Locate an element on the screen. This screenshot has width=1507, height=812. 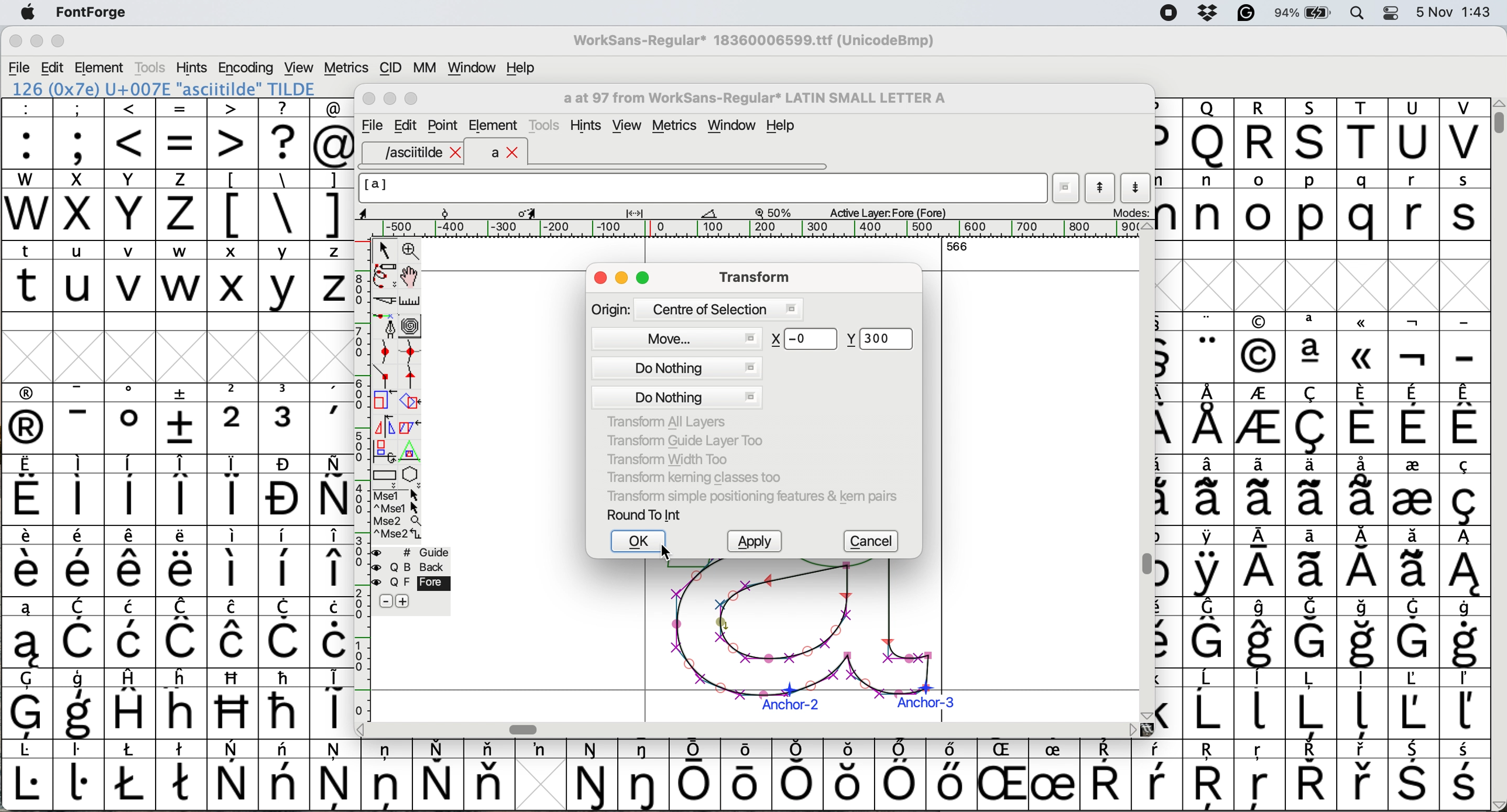
element is located at coordinates (101, 67).